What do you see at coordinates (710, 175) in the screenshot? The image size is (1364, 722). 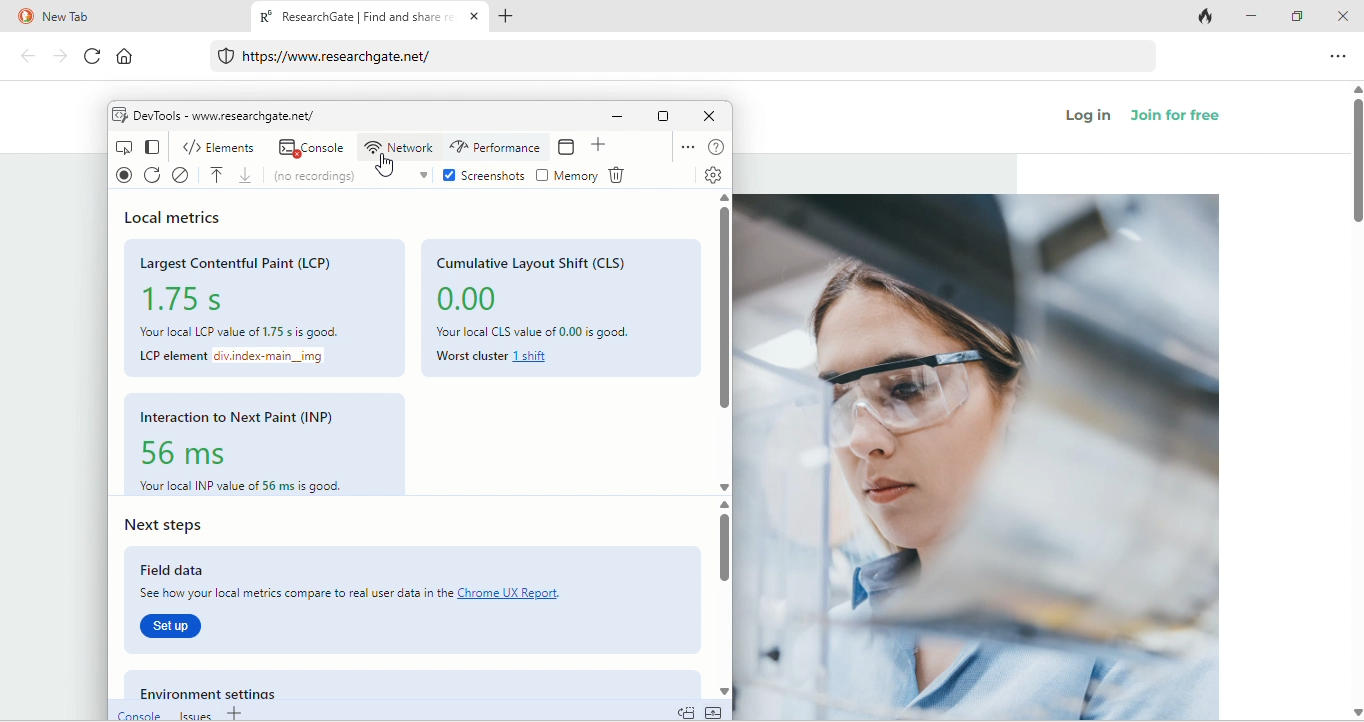 I see `settings` at bounding box center [710, 175].